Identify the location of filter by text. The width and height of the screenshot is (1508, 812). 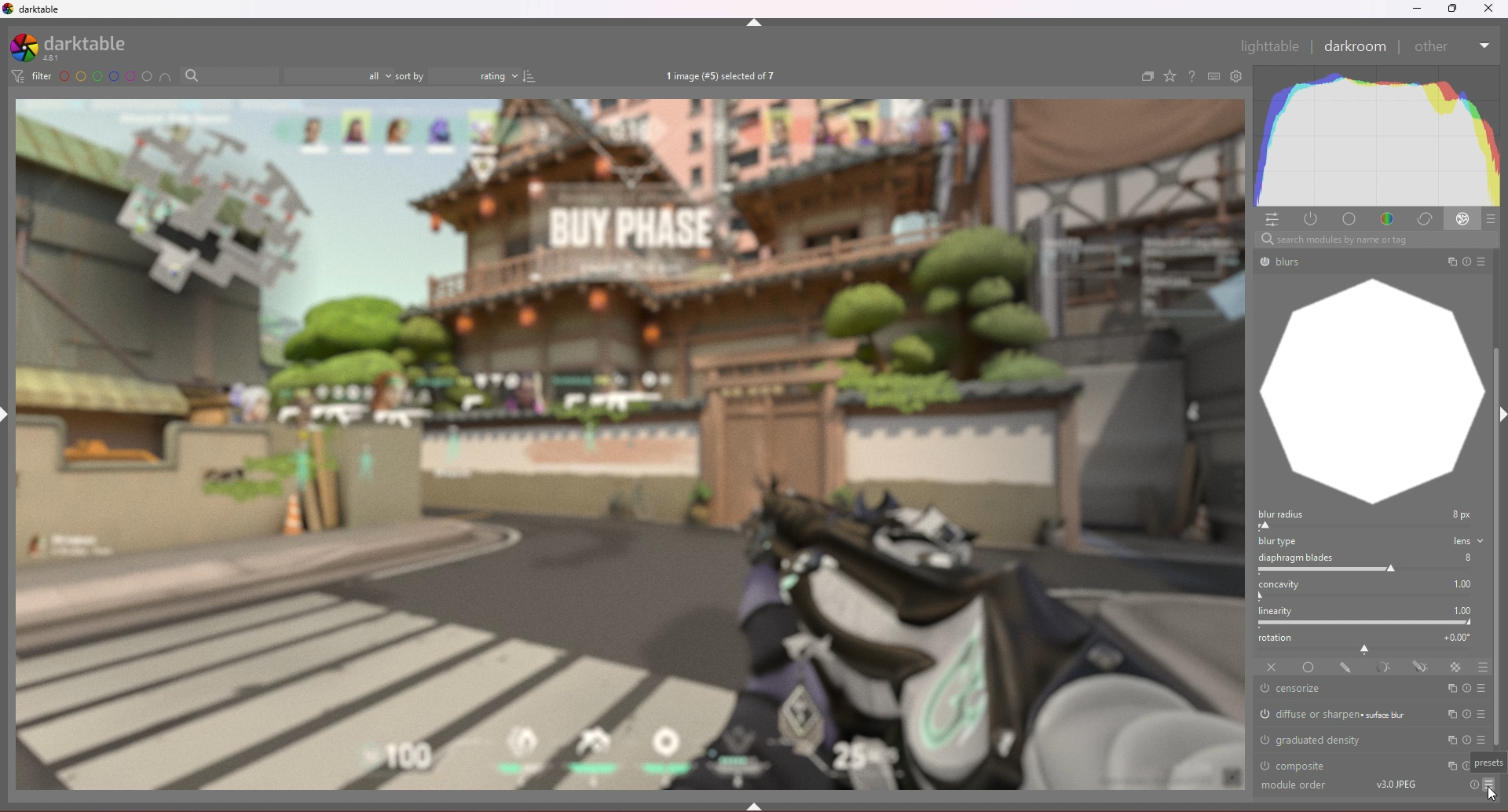
(230, 75).